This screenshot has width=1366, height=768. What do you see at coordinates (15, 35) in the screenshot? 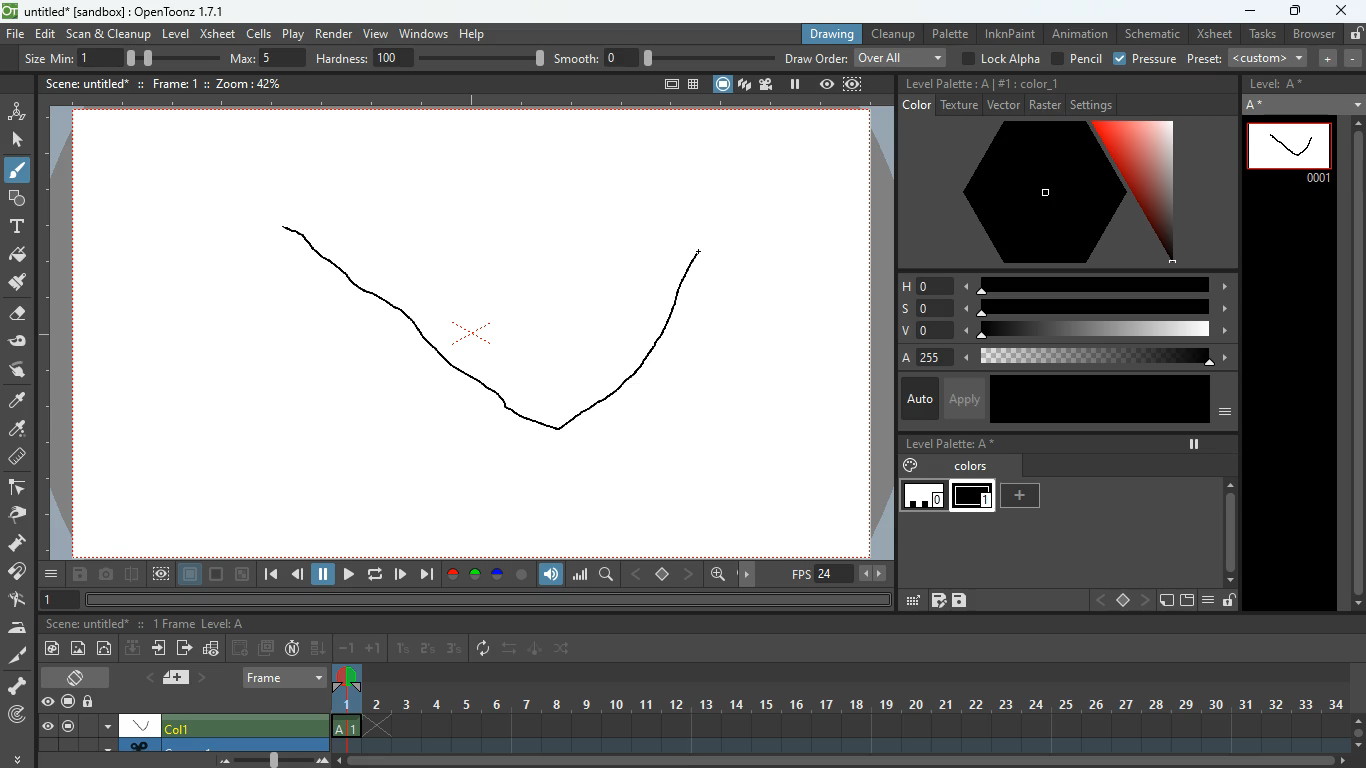
I see `file` at bounding box center [15, 35].